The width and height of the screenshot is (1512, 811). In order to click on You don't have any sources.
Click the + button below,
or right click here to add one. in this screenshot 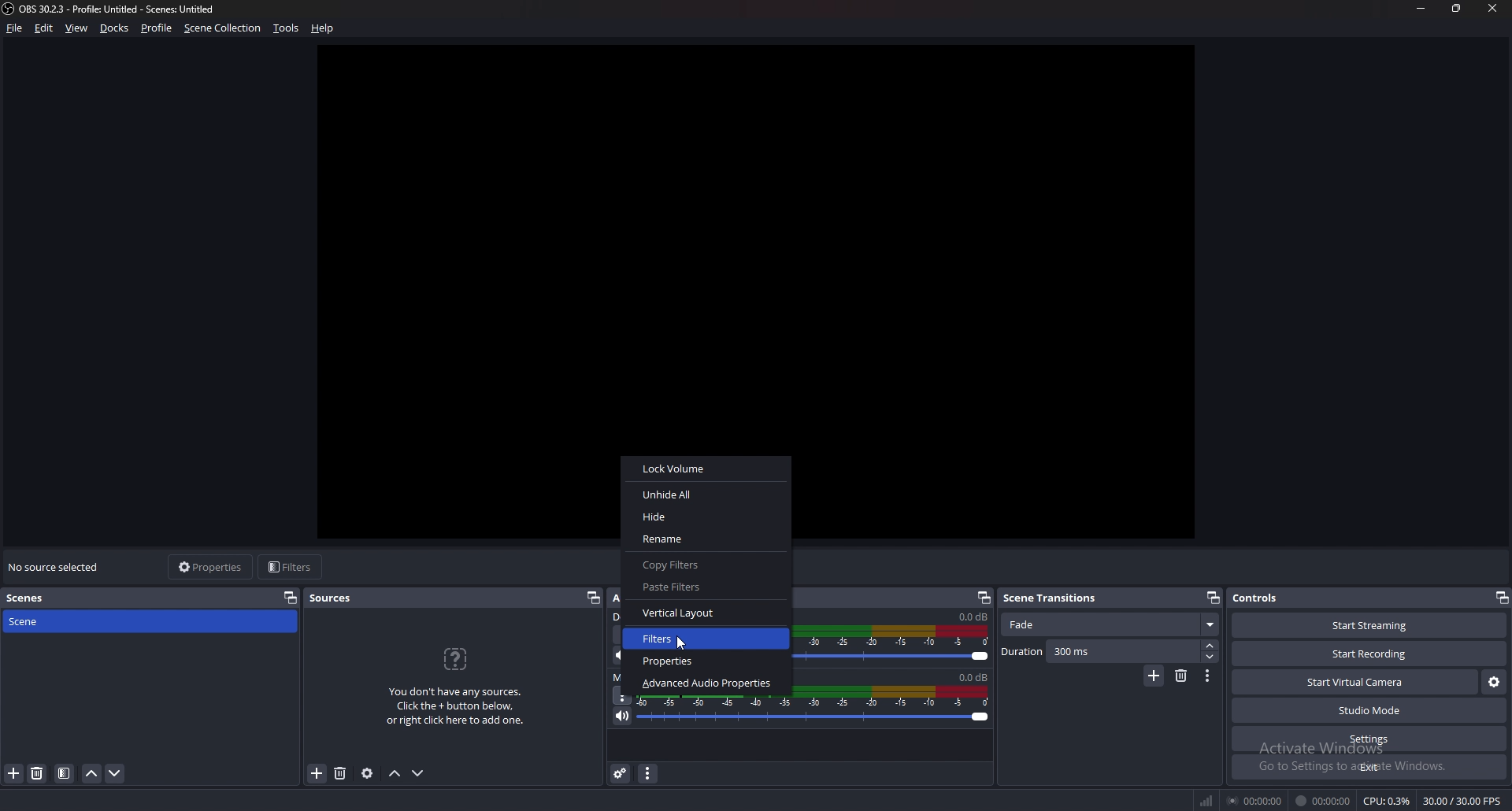, I will do `click(462, 686)`.